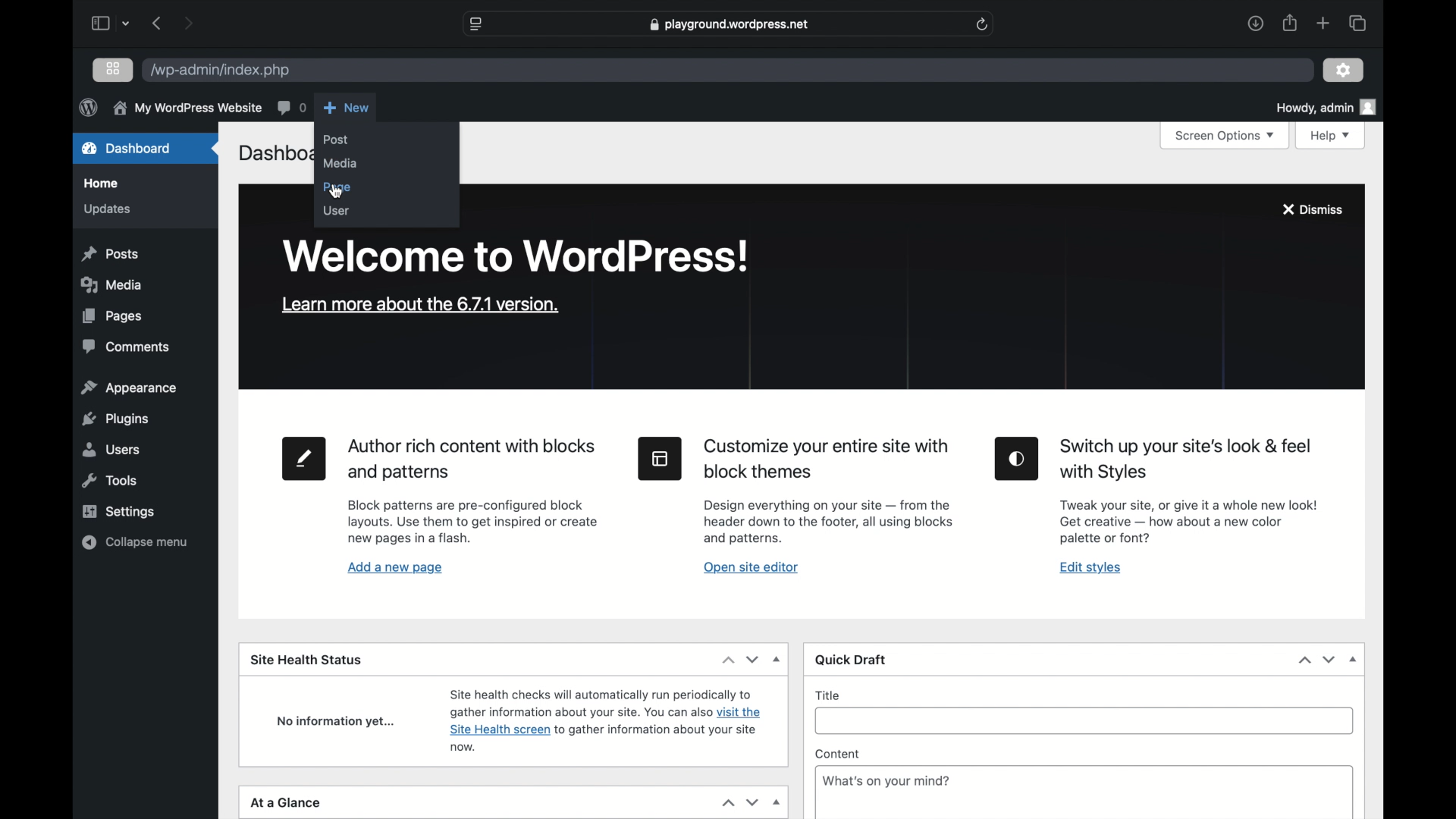 The width and height of the screenshot is (1456, 819). What do you see at coordinates (1344, 71) in the screenshot?
I see `settings` at bounding box center [1344, 71].